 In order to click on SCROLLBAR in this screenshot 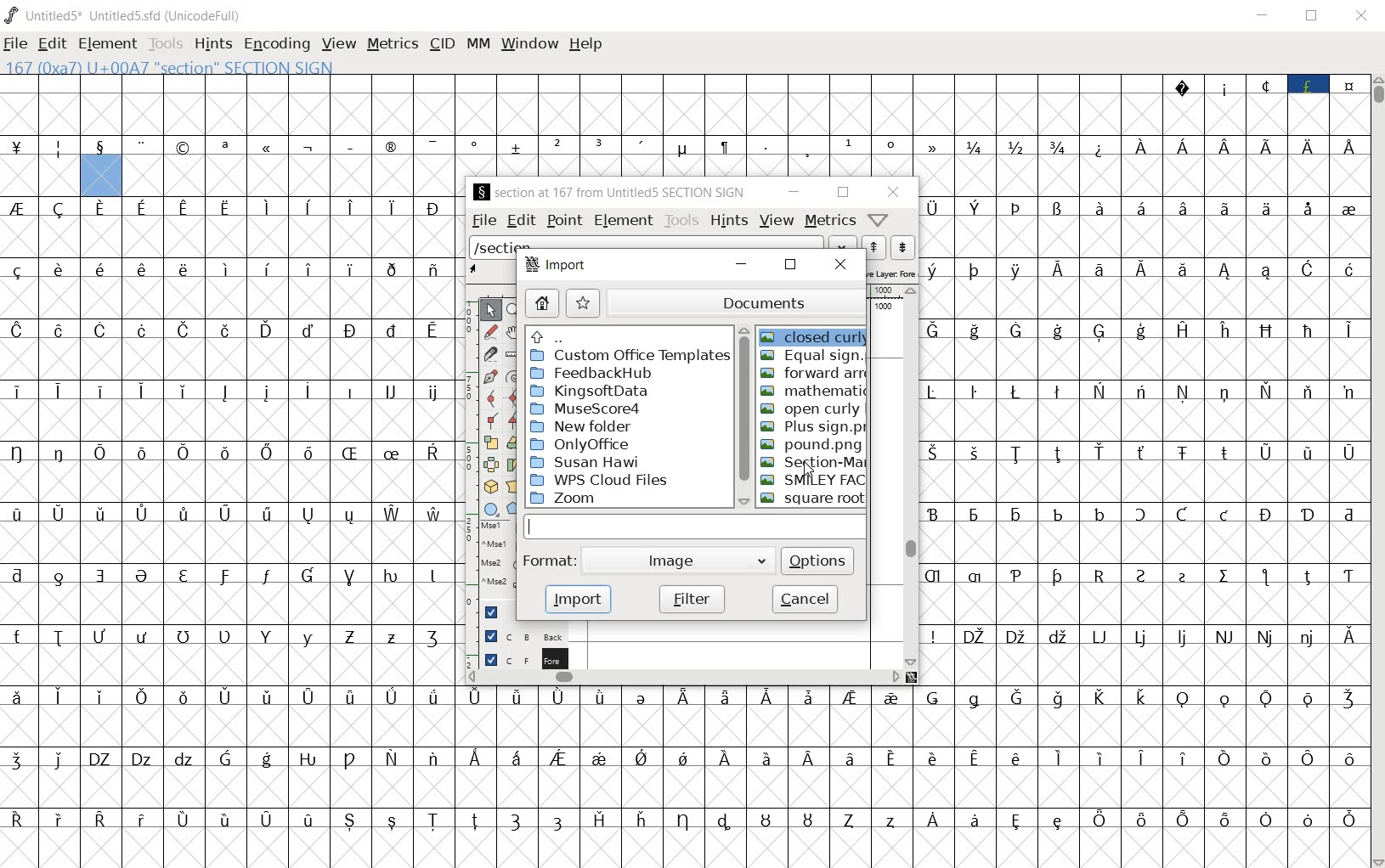, I will do `click(1377, 471)`.